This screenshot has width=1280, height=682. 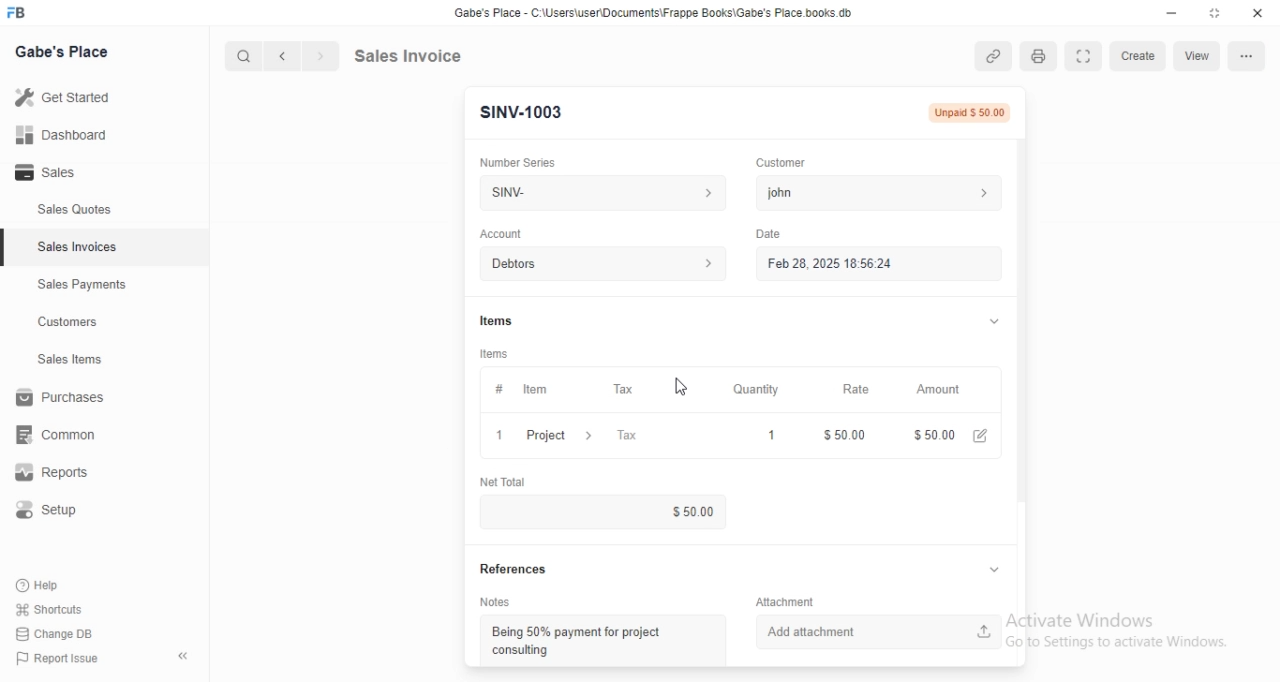 What do you see at coordinates (64, 400) in the screenshot?
I see `Purchases` at bounding box center [64, 400].